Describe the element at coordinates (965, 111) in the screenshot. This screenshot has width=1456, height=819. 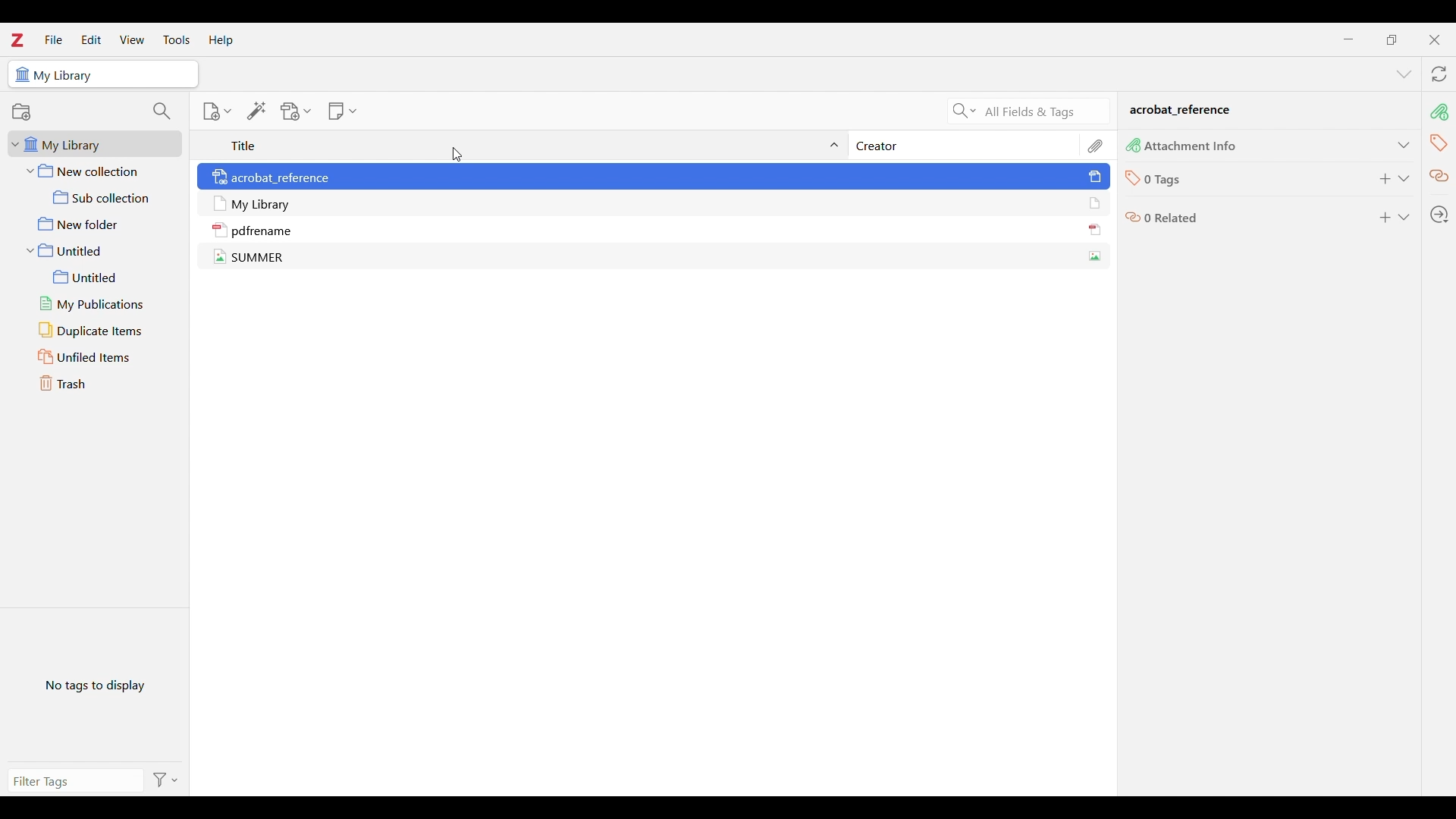
I see `Search criteria options` at that location.